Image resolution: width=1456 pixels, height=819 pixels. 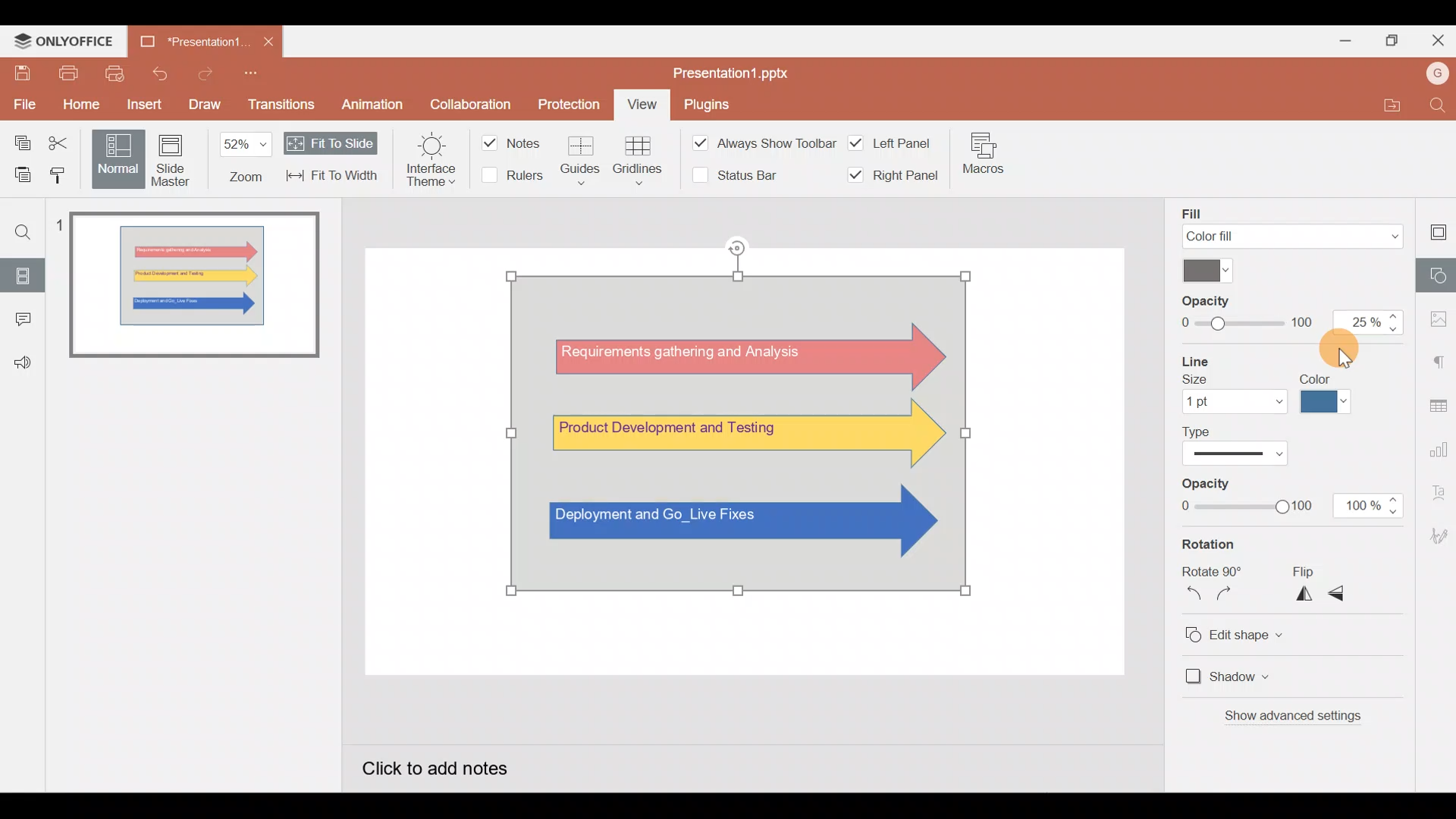 I want to click on Fill, so click(x=1293, y=222).